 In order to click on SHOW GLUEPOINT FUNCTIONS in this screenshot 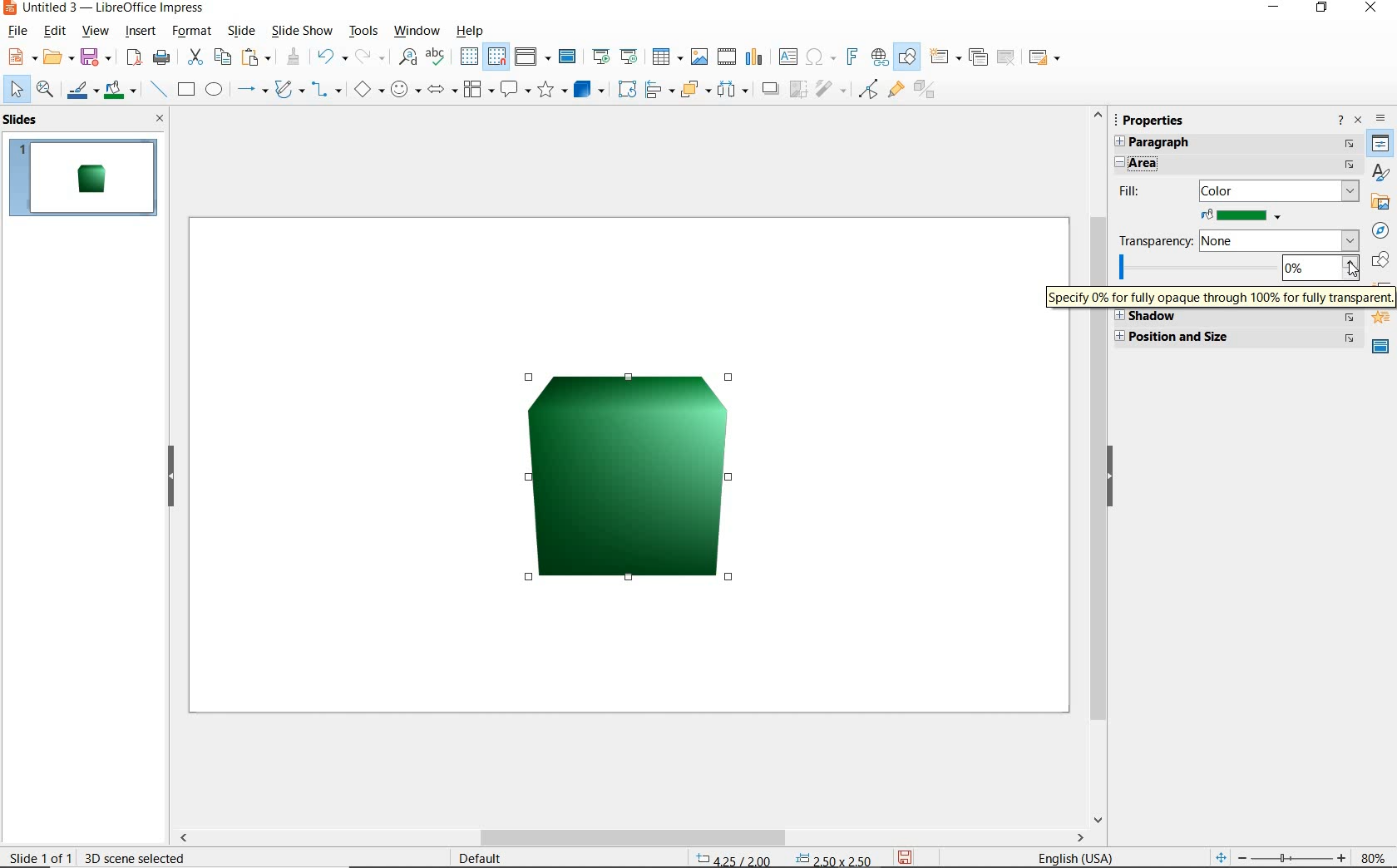, I will do `click(896, 91)`.